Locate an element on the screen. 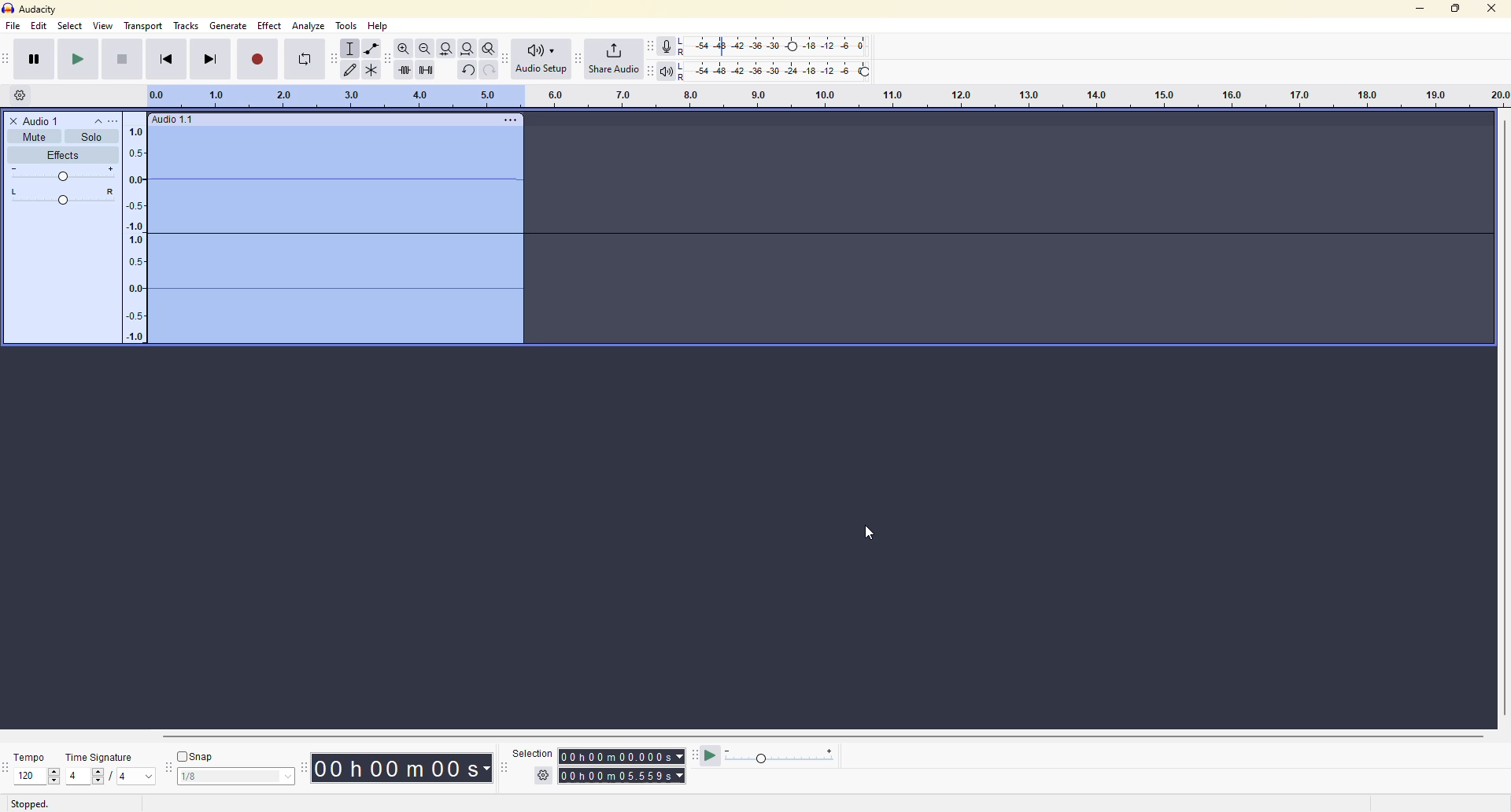  audio is located at coordinates (173, 120).